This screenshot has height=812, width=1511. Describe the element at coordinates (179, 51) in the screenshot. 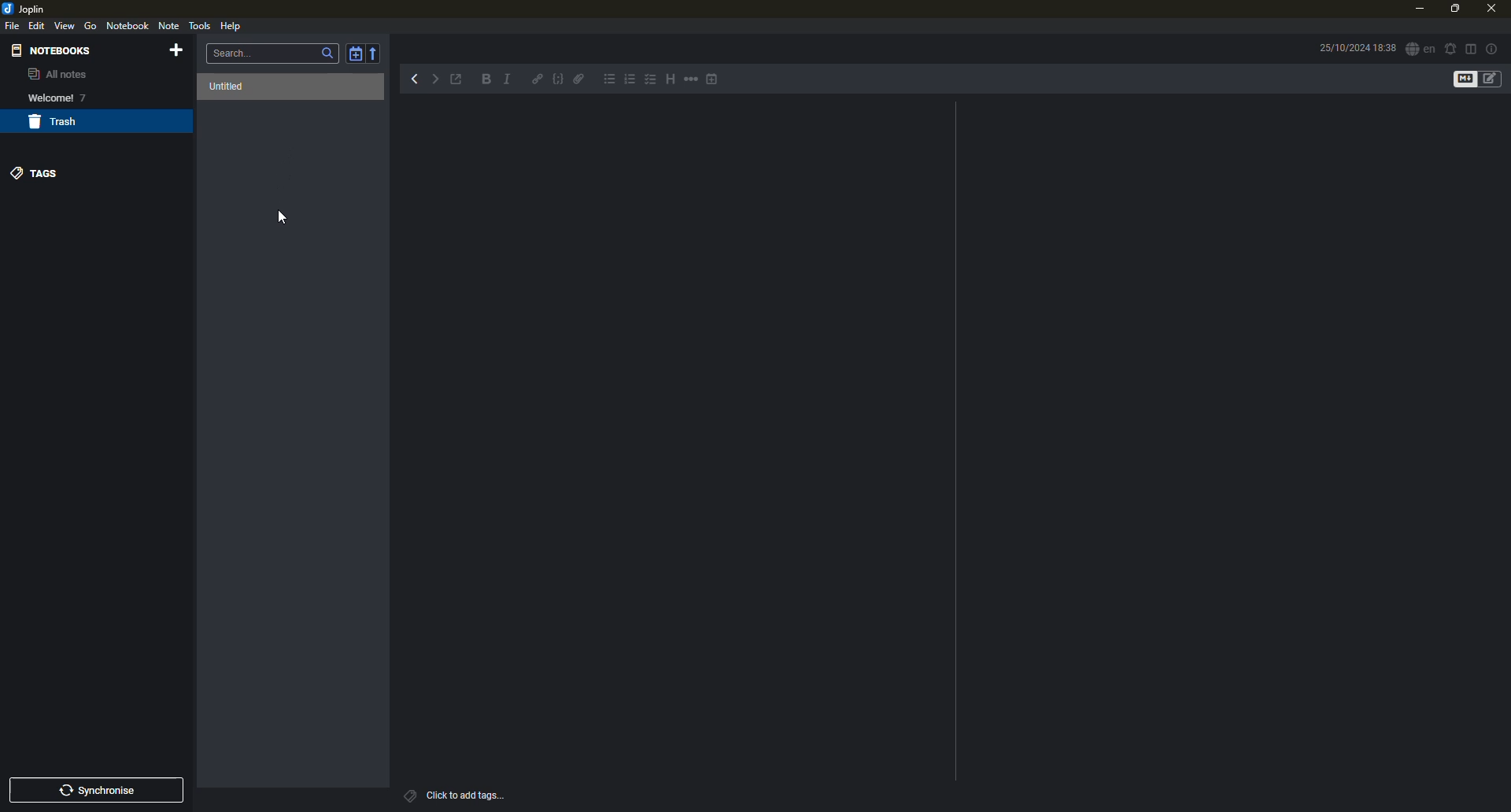

I see `add notebook` at that location.